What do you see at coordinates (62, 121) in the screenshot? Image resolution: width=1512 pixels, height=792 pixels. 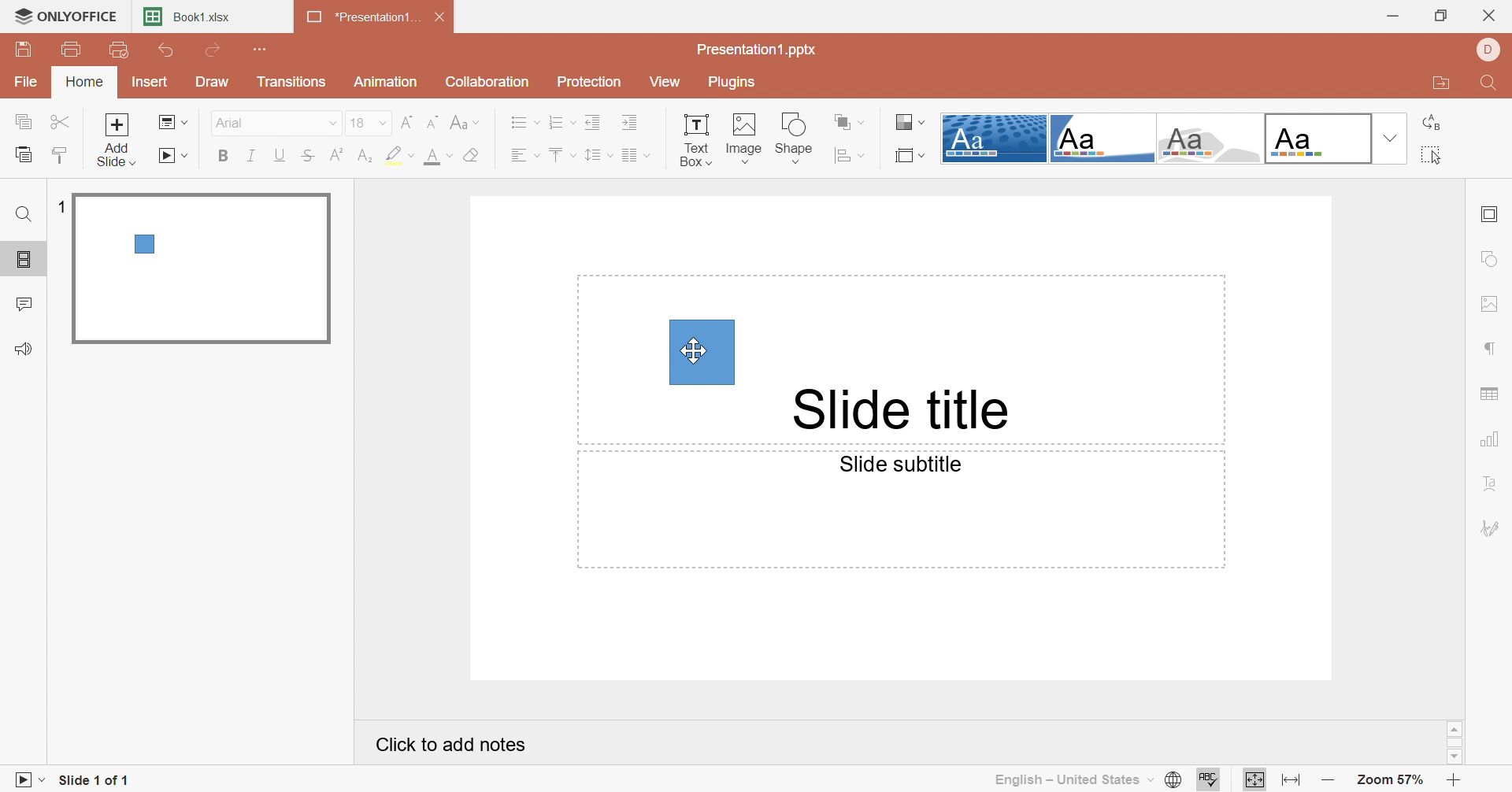 I see `Cut` at bounding box center [62, 121].